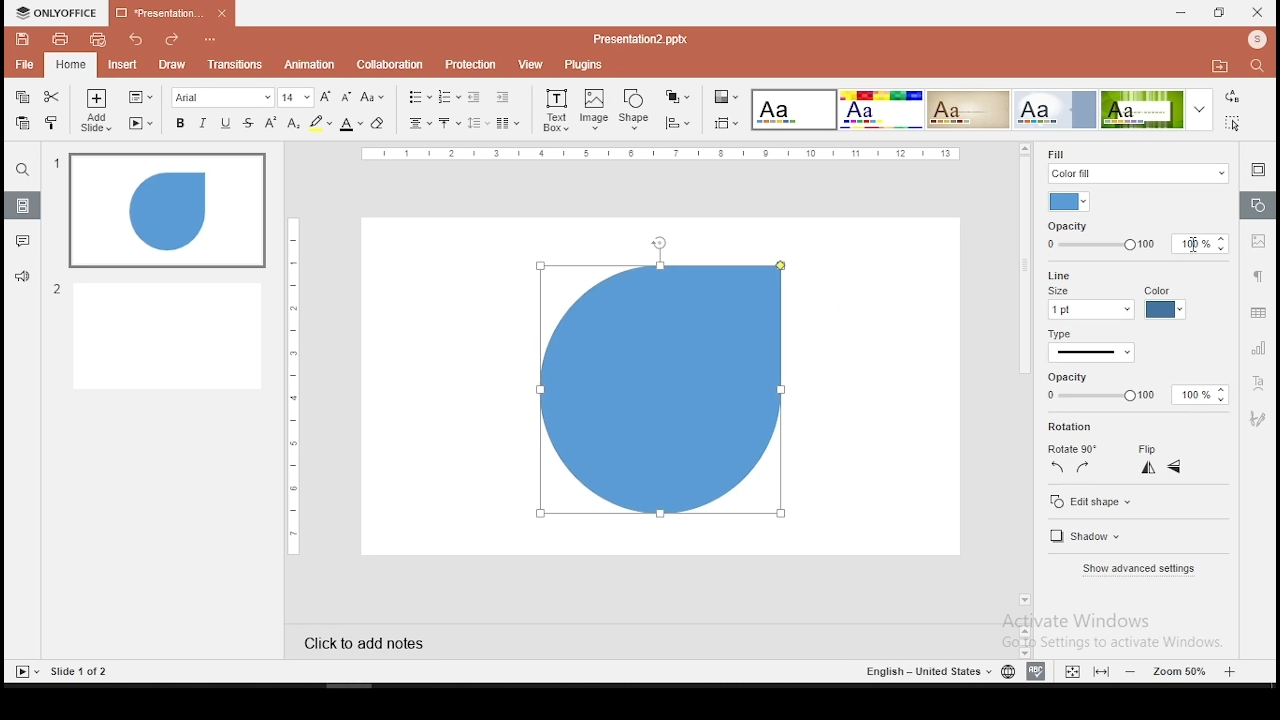  I want to click on , so click(1259, 418).